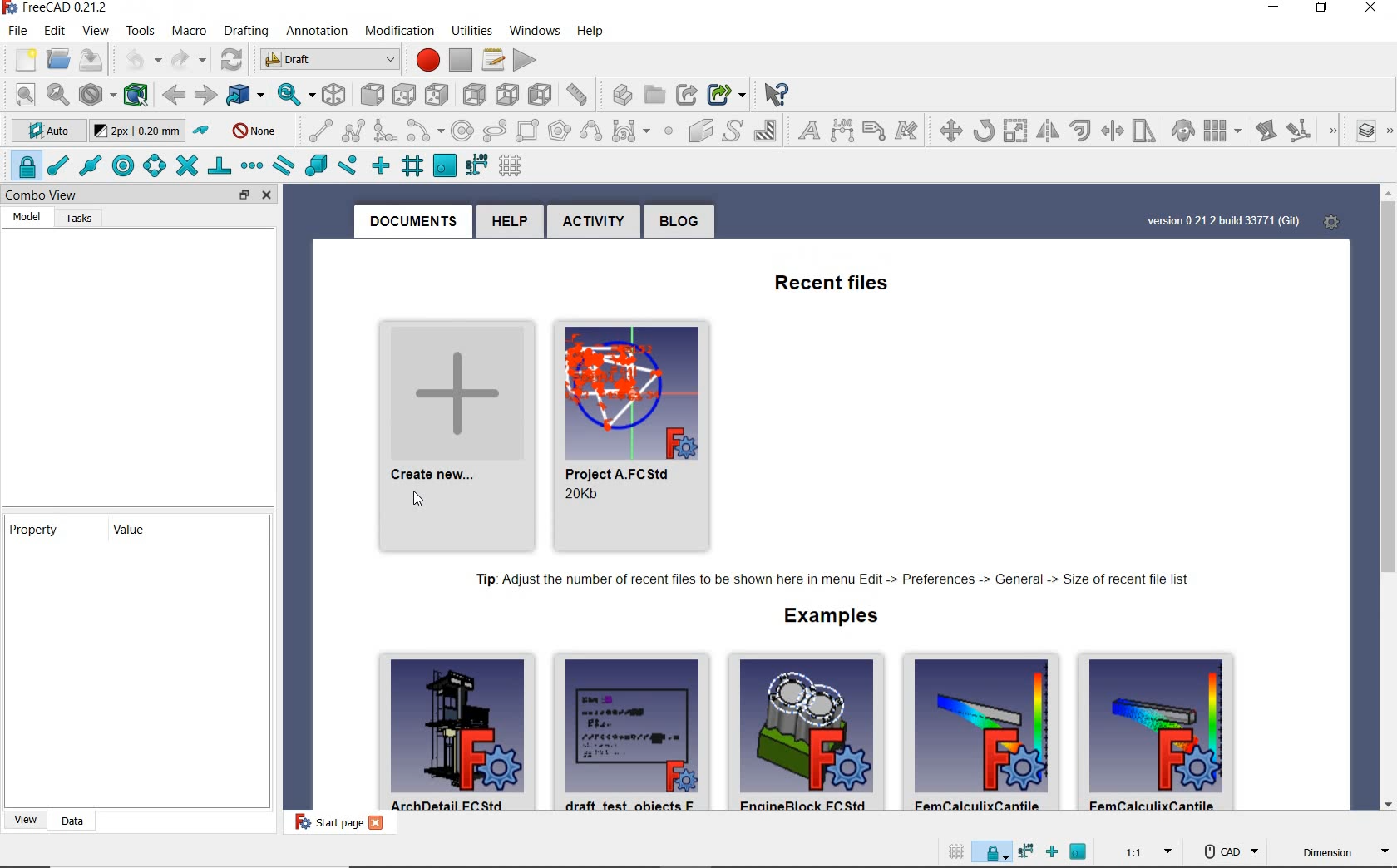 The image size is (1397, 868). Describe the element at coordinates (349, 167) in the screenshot. I see `snap near` at that location.